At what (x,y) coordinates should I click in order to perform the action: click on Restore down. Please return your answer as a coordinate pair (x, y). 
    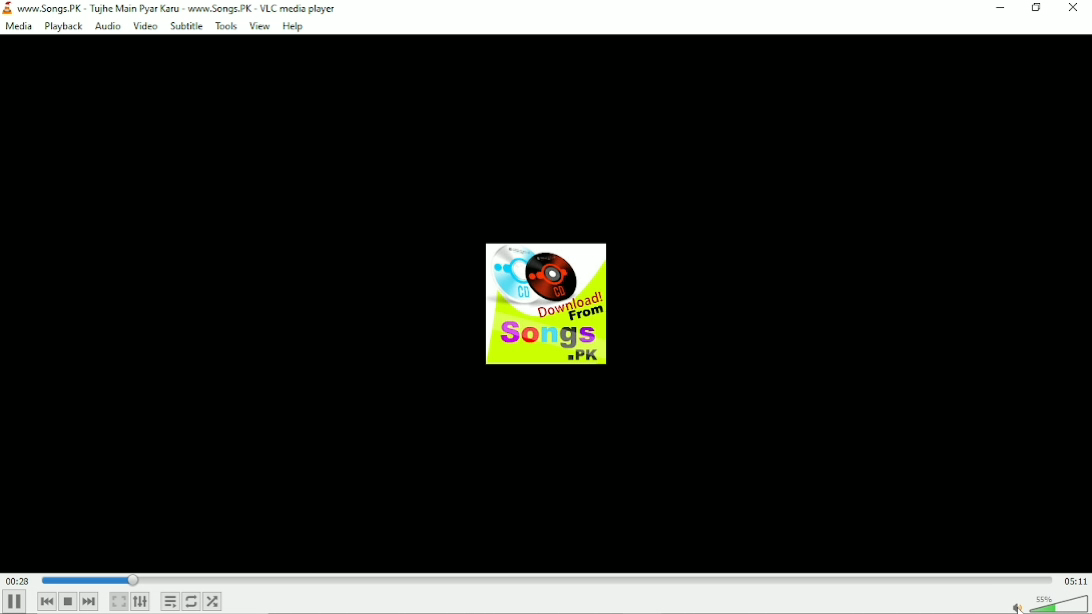
    Looking at the image, I should click on (1036, 10).